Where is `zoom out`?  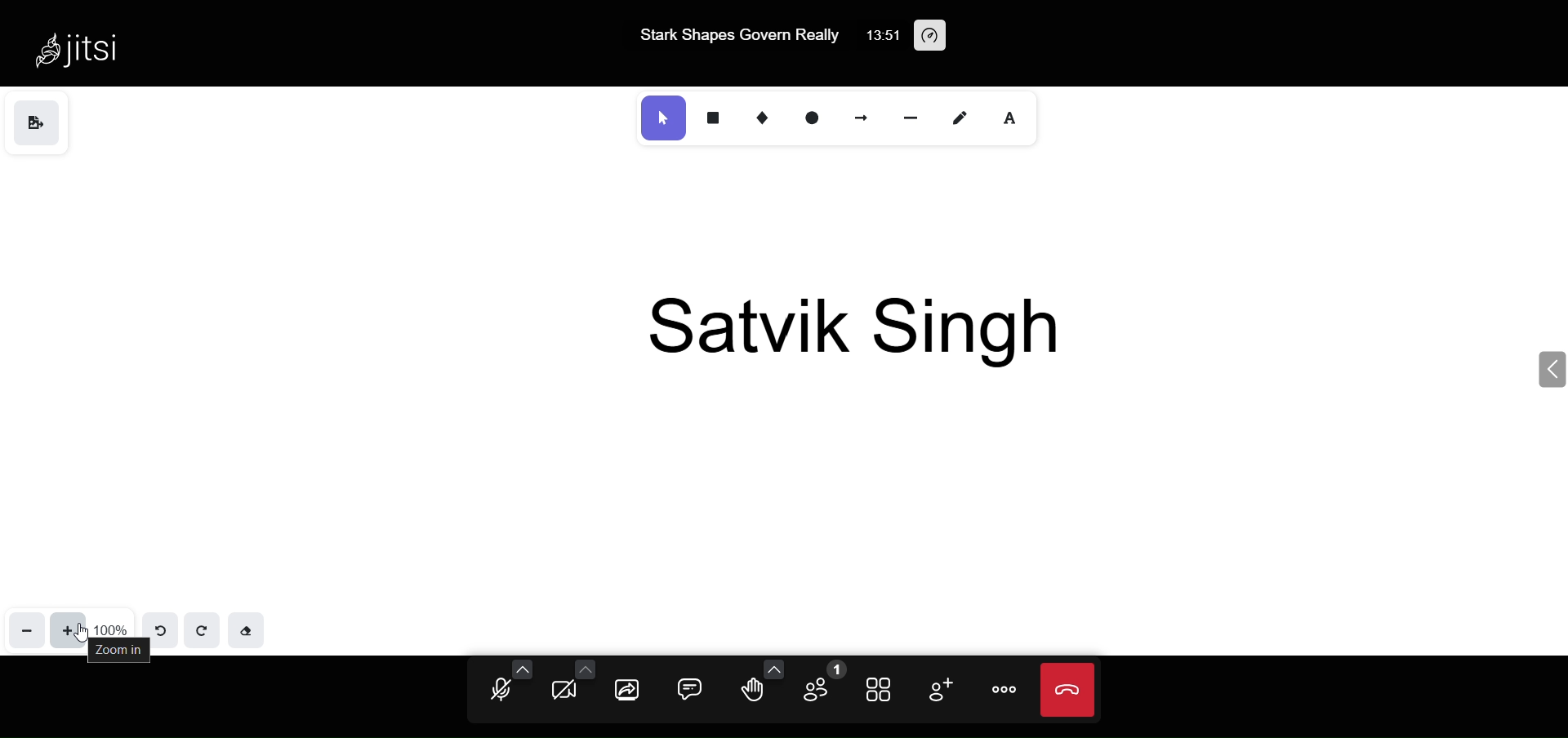
zoom out is located at coordinates (24, 630).